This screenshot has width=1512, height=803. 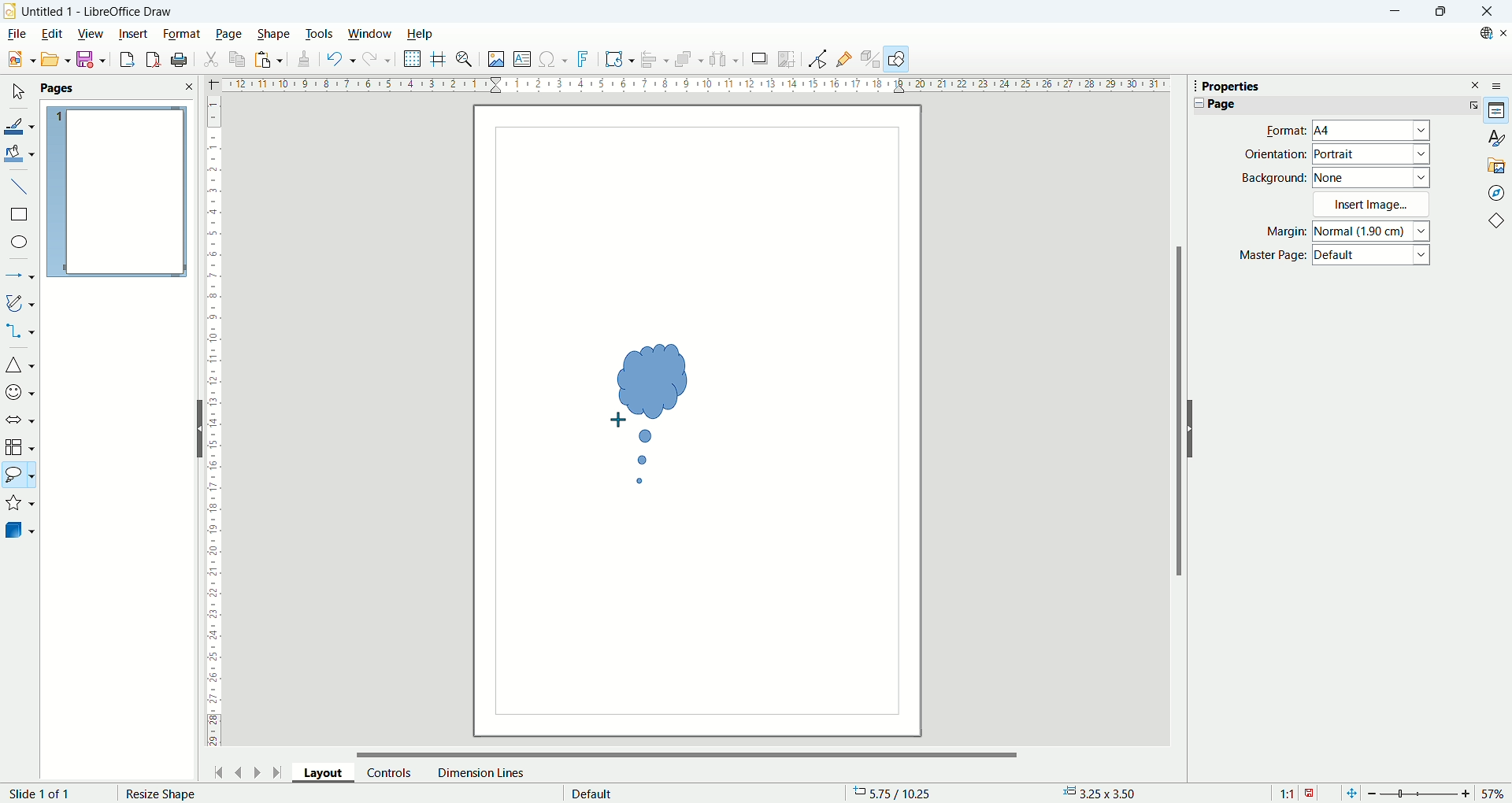 I want to click on draw function, so click(x=899, y=59).